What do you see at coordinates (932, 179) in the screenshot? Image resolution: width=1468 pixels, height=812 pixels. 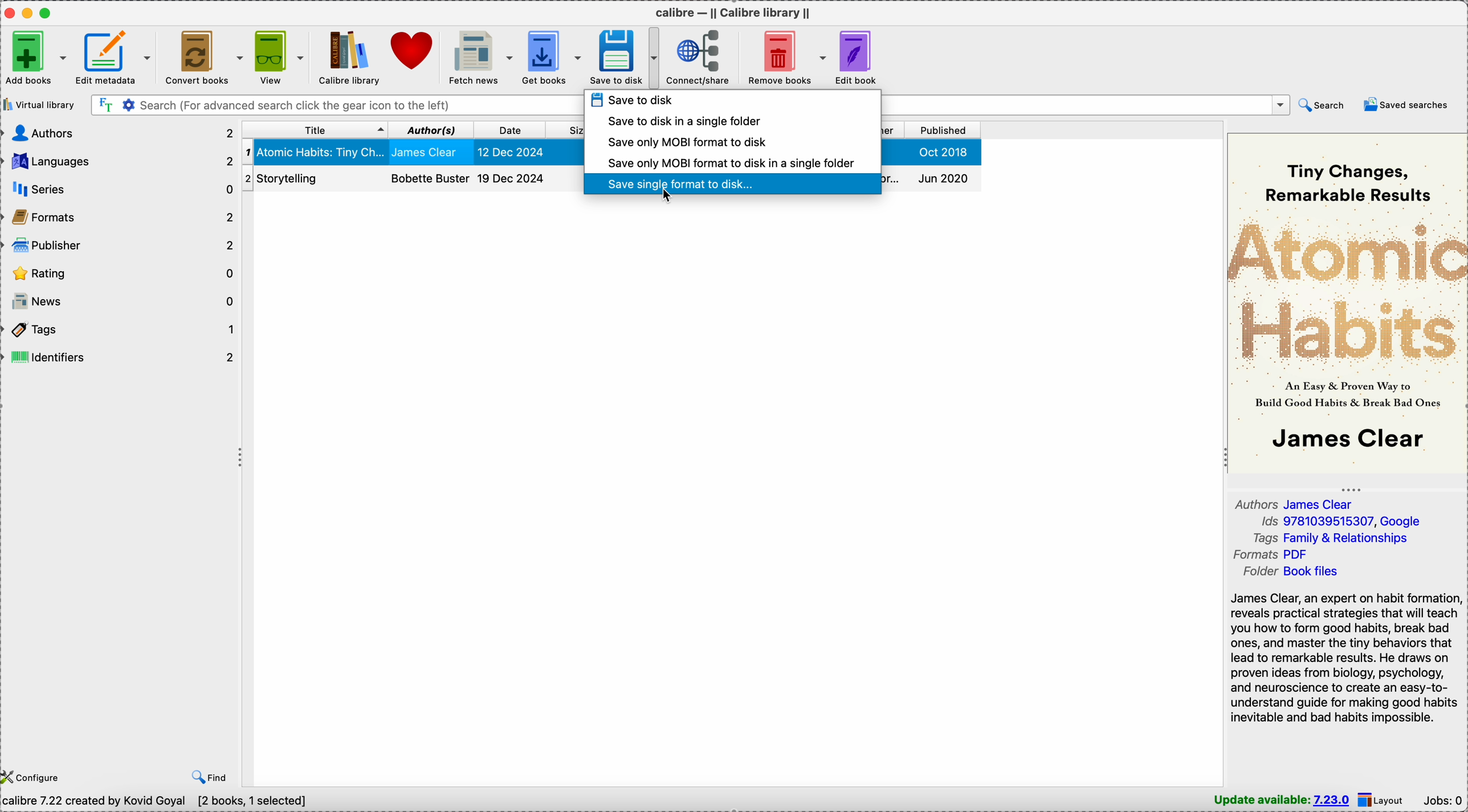 I see `Jun 2020` at bounding box center [932, 179].